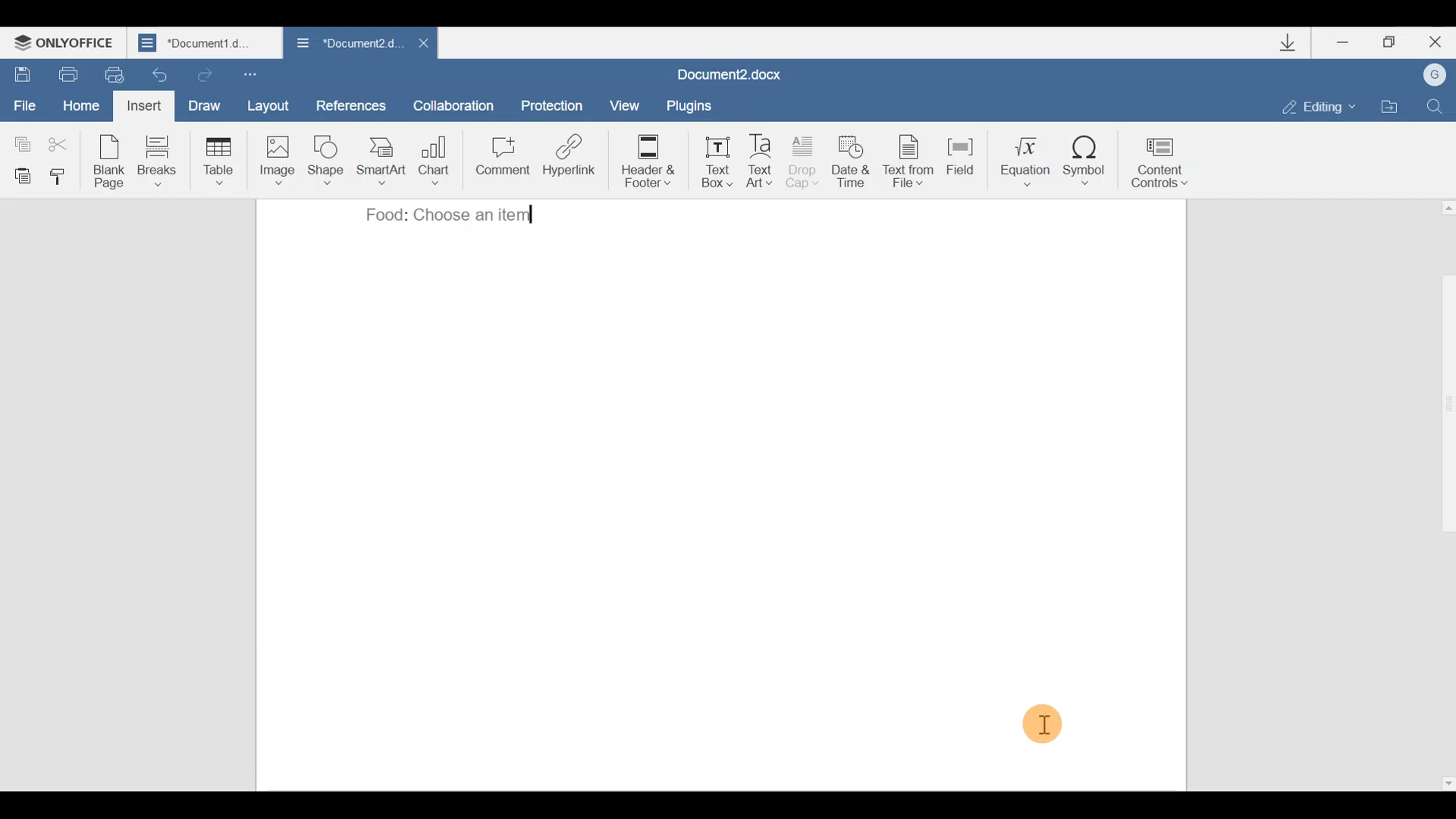  I want to click on Minimize, so click(1338, 44).